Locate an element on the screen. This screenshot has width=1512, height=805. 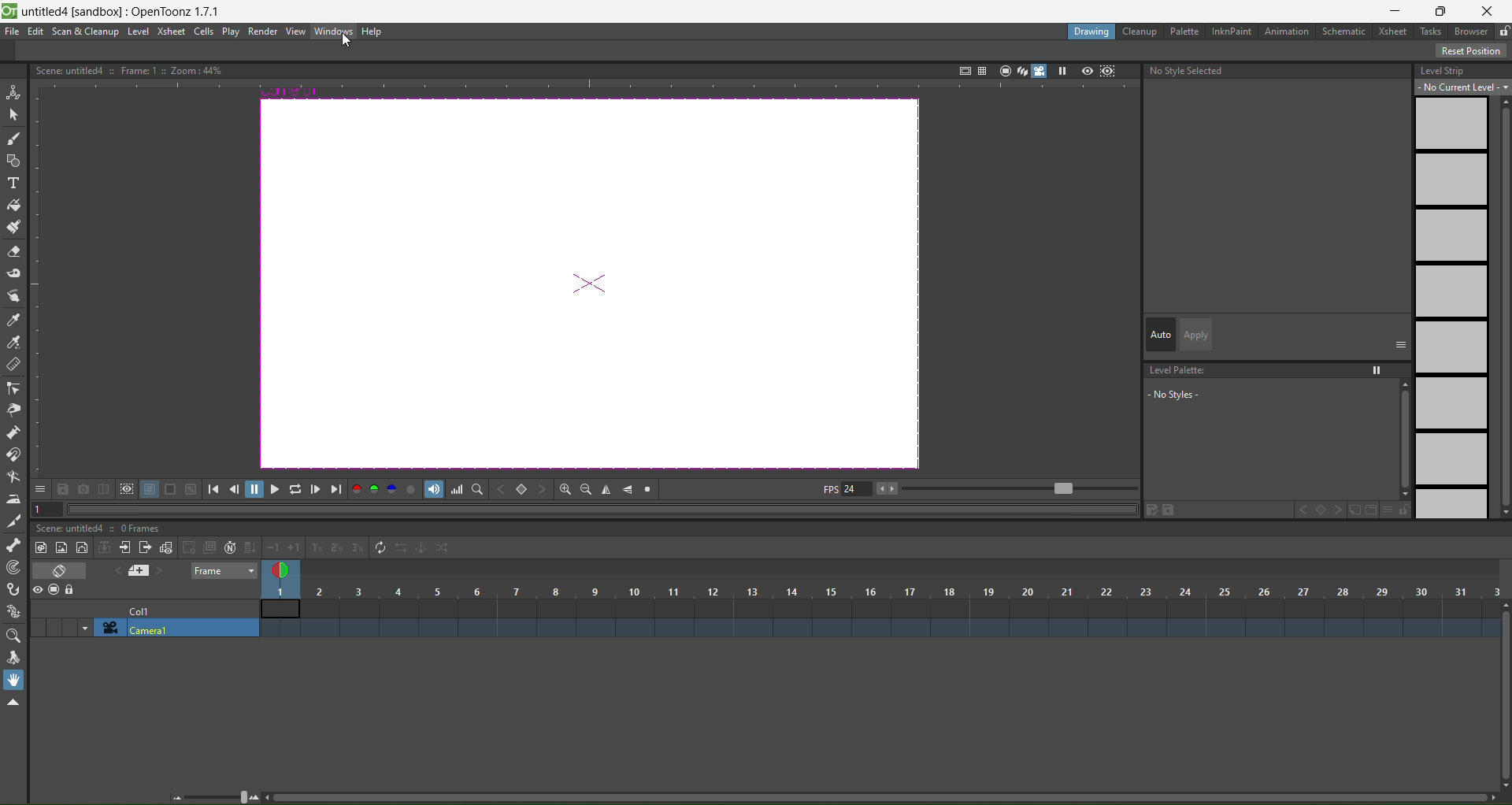
histogram is located at coordinates (458, 490).